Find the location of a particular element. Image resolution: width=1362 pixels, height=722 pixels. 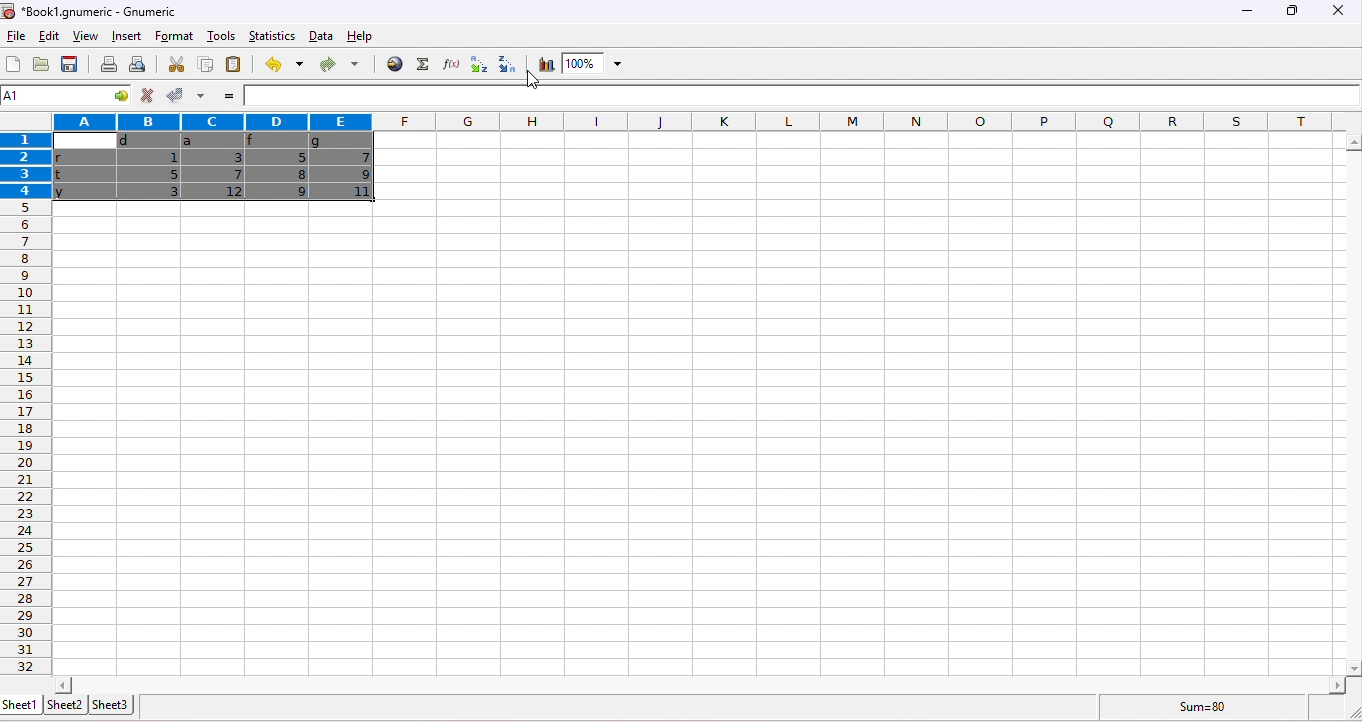

vertical slider is located at coordinates (1353, 403).